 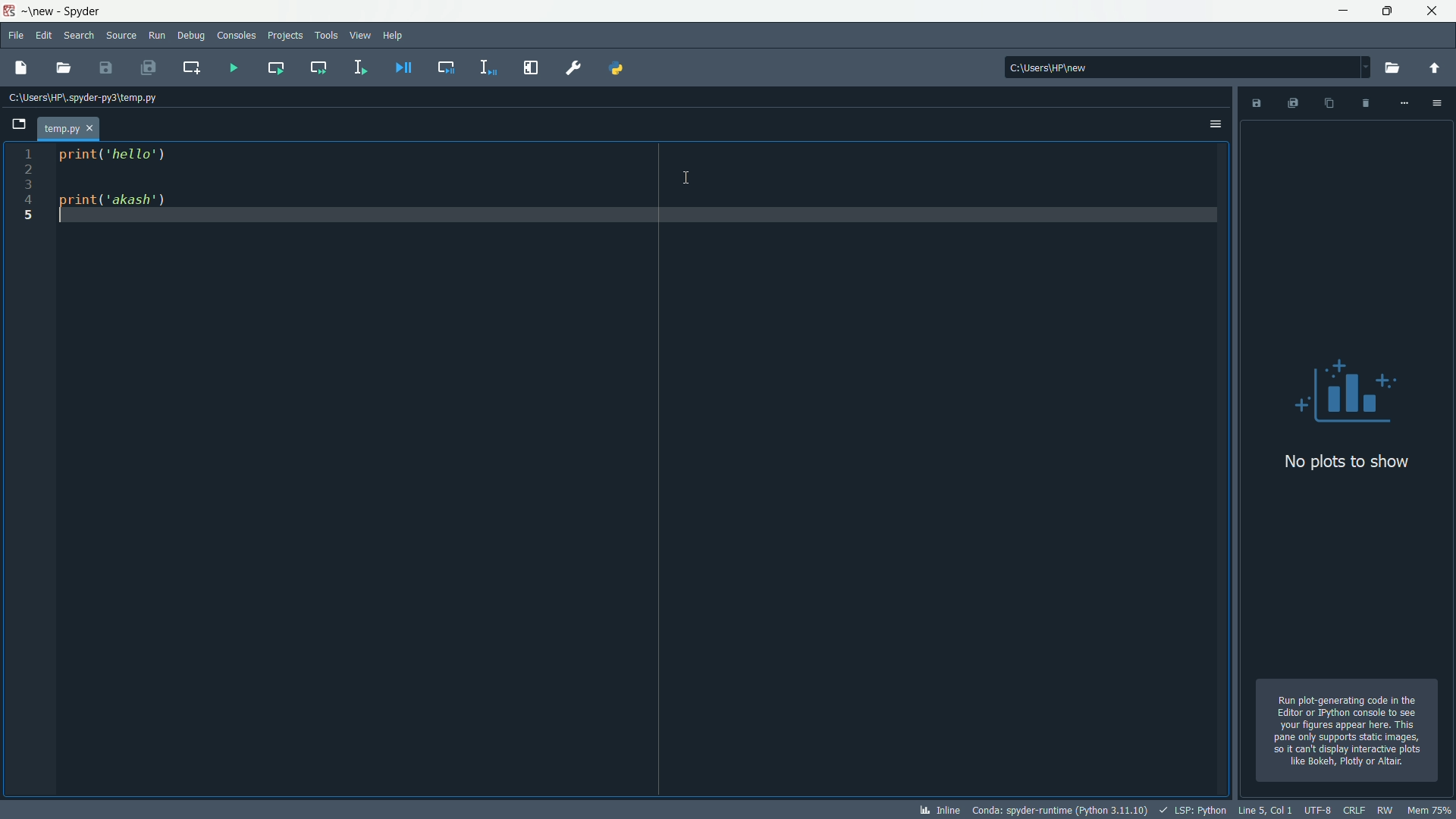 What do you see at coordinates (1257, 103) in the screenshot?
I see `save plot as` at bounding box center [1257, 103].